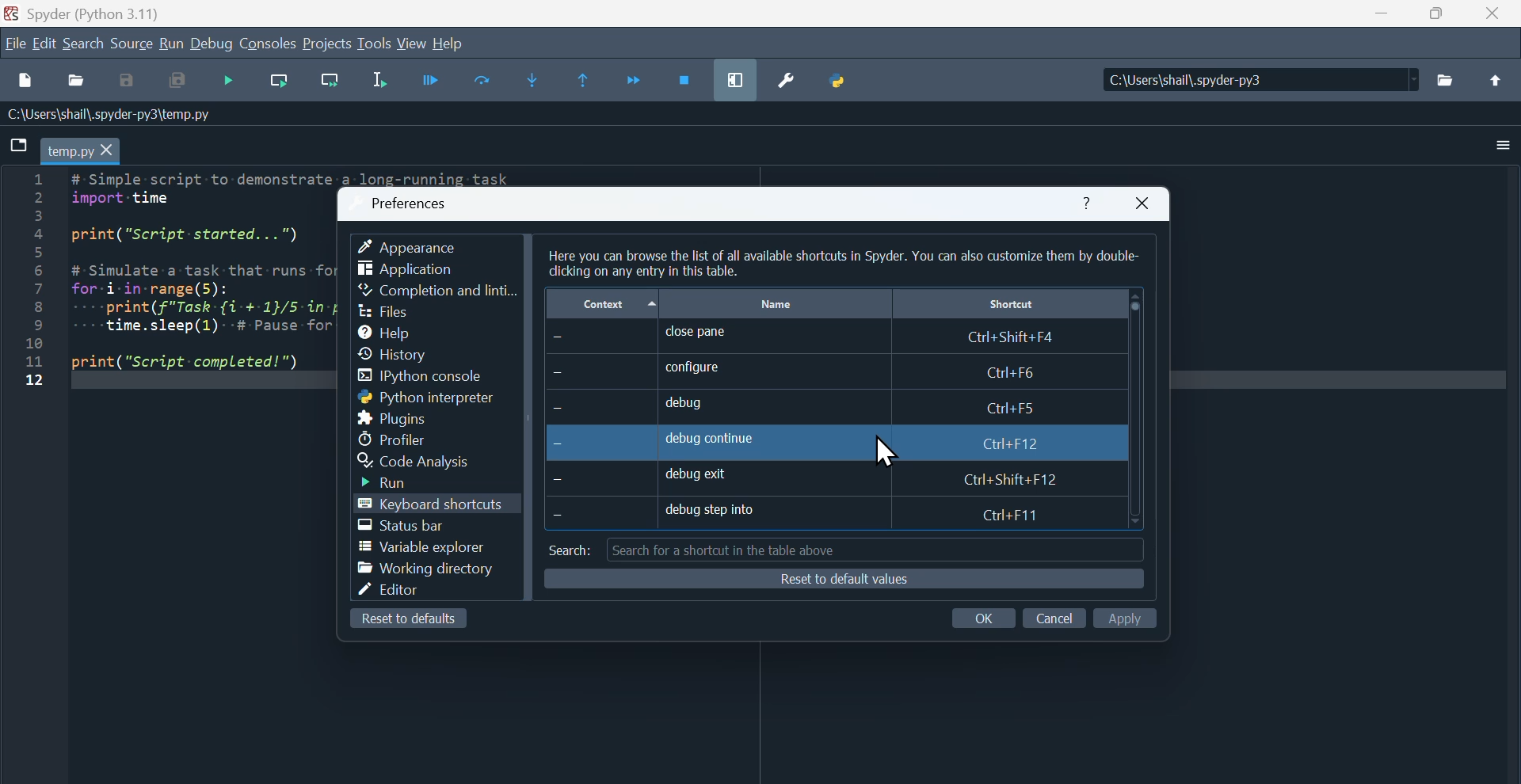 This screenshot has height=784, width=1521. I want to click on Projects, so click(326, 42).